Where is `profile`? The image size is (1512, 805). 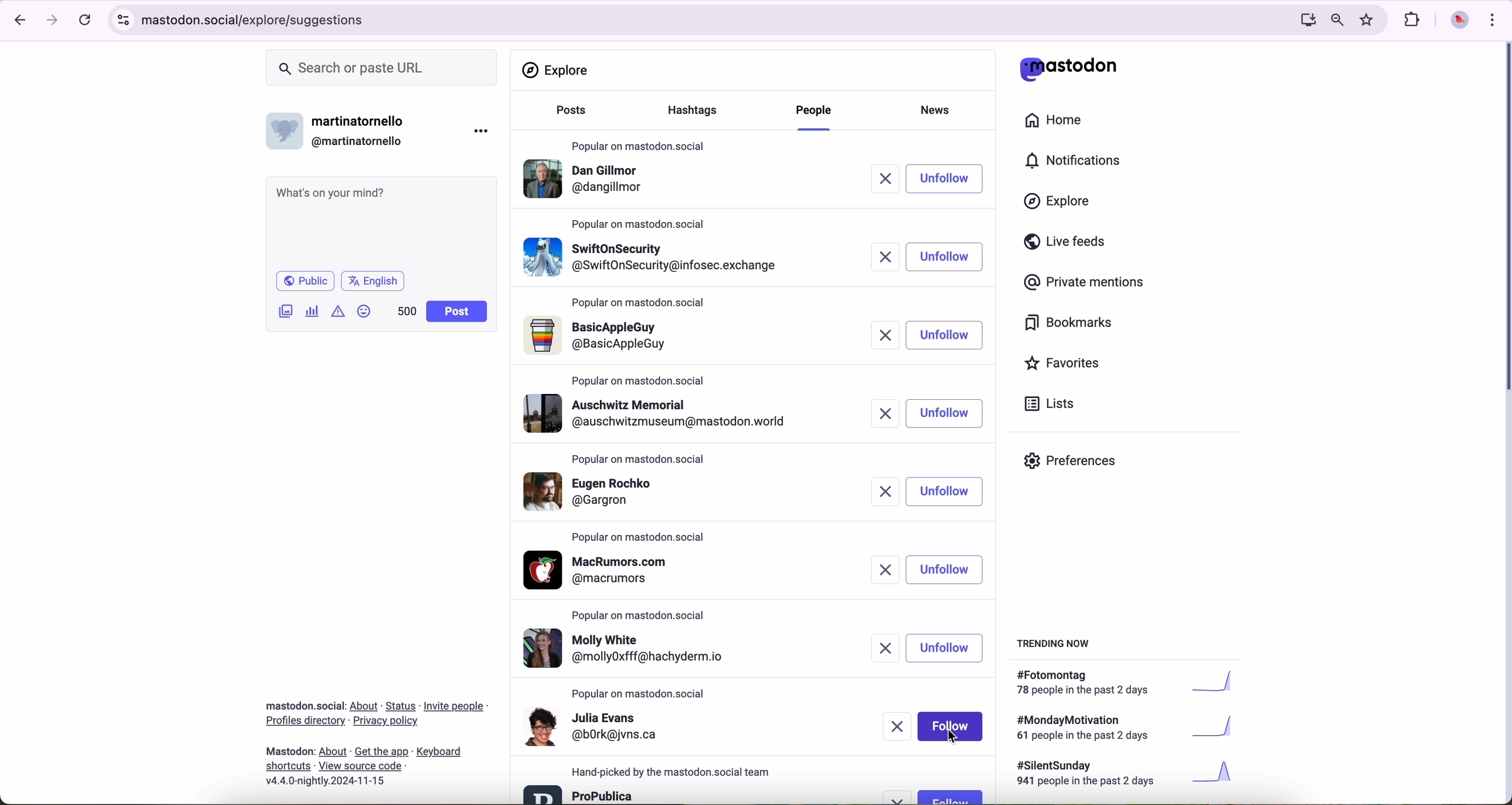
profile is located at coordinates (654, 254).